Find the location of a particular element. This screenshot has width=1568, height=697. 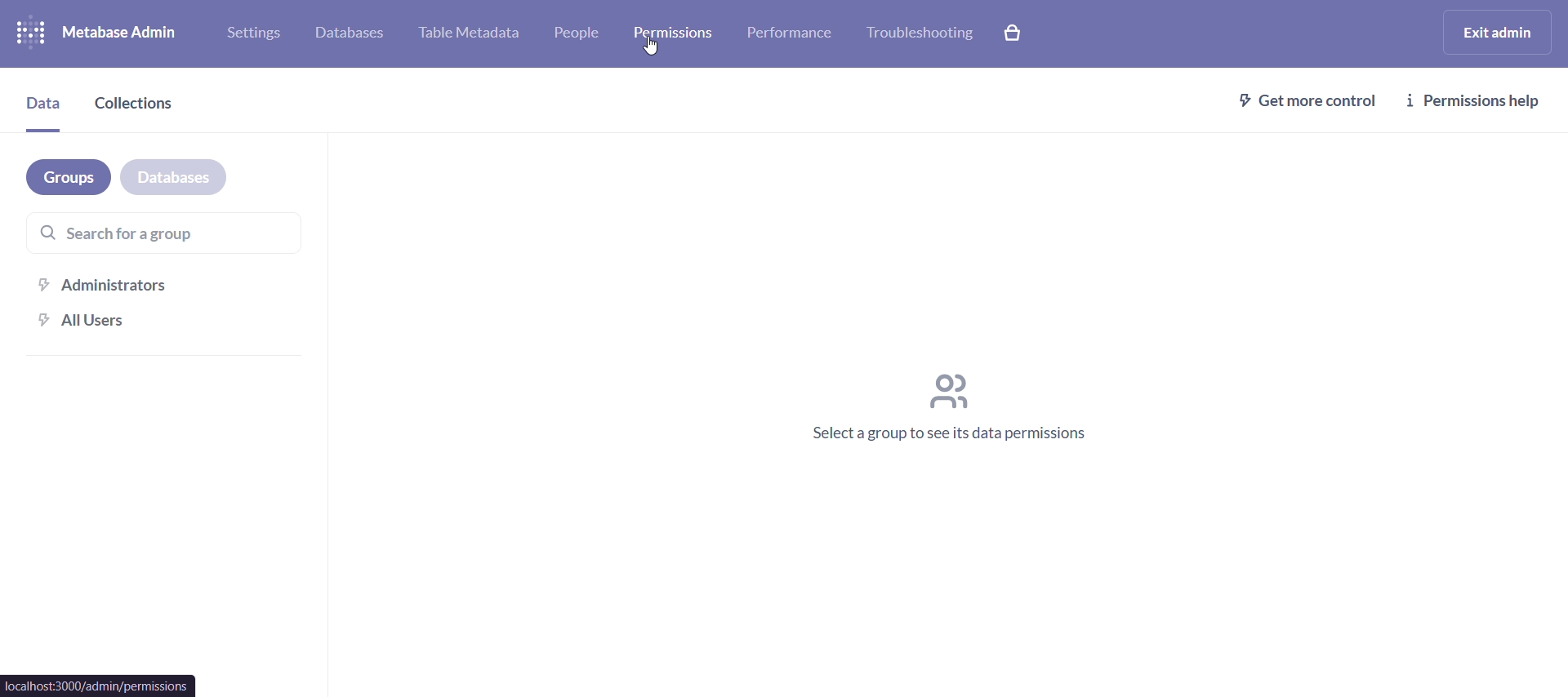

logo is located at coordinates (30, 34).